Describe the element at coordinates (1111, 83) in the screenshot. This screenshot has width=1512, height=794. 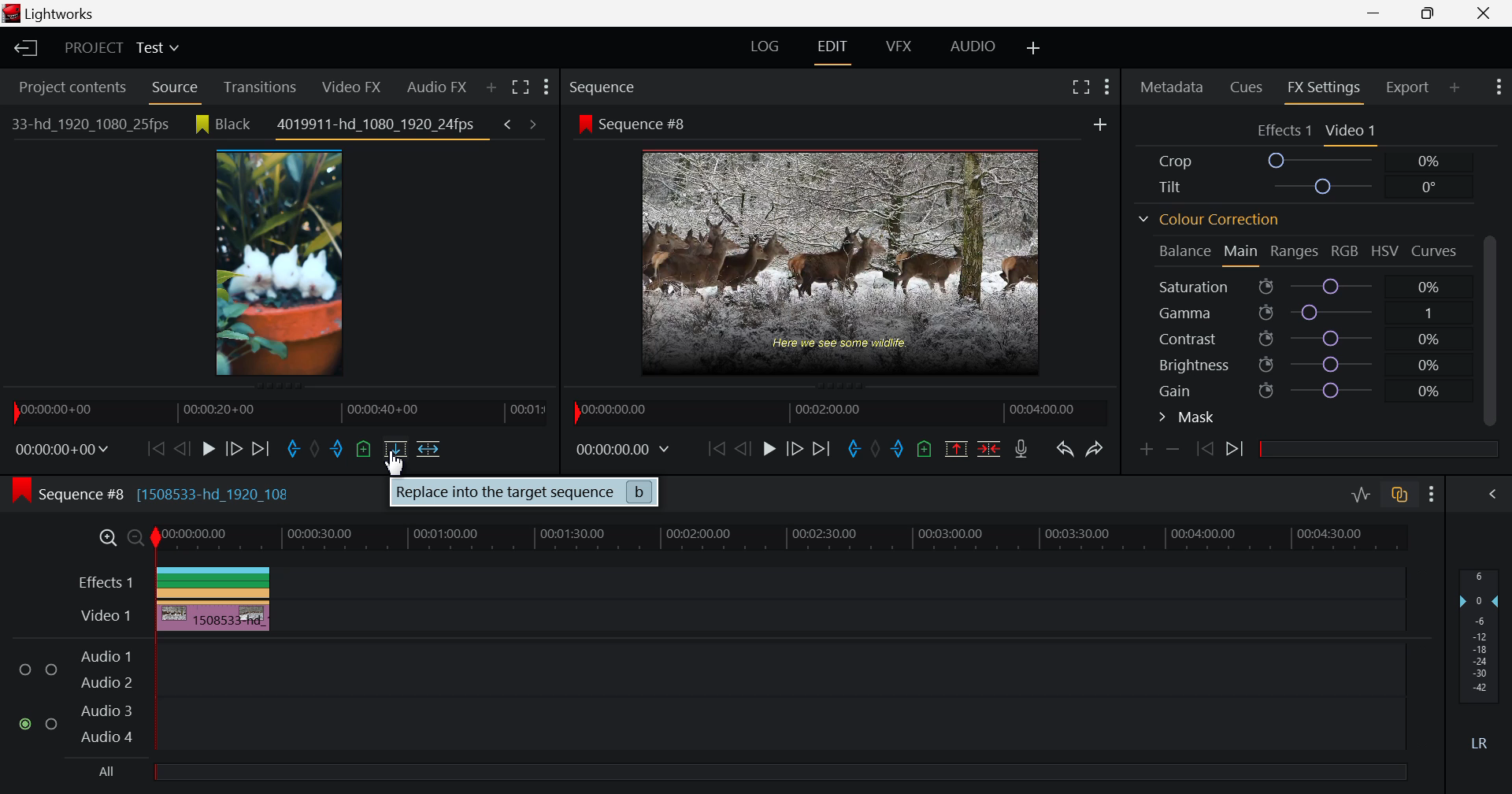
I see `Show Settings` at that location.